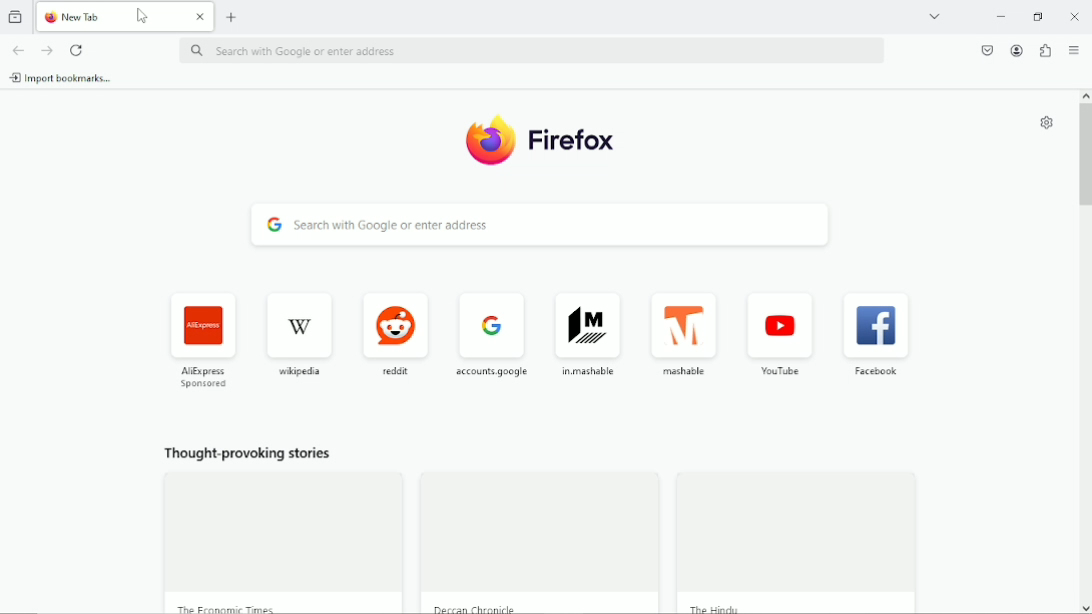 The height and width of the screenshot is (614, 1092). I want to click on Minimize, so click(1002, 16).